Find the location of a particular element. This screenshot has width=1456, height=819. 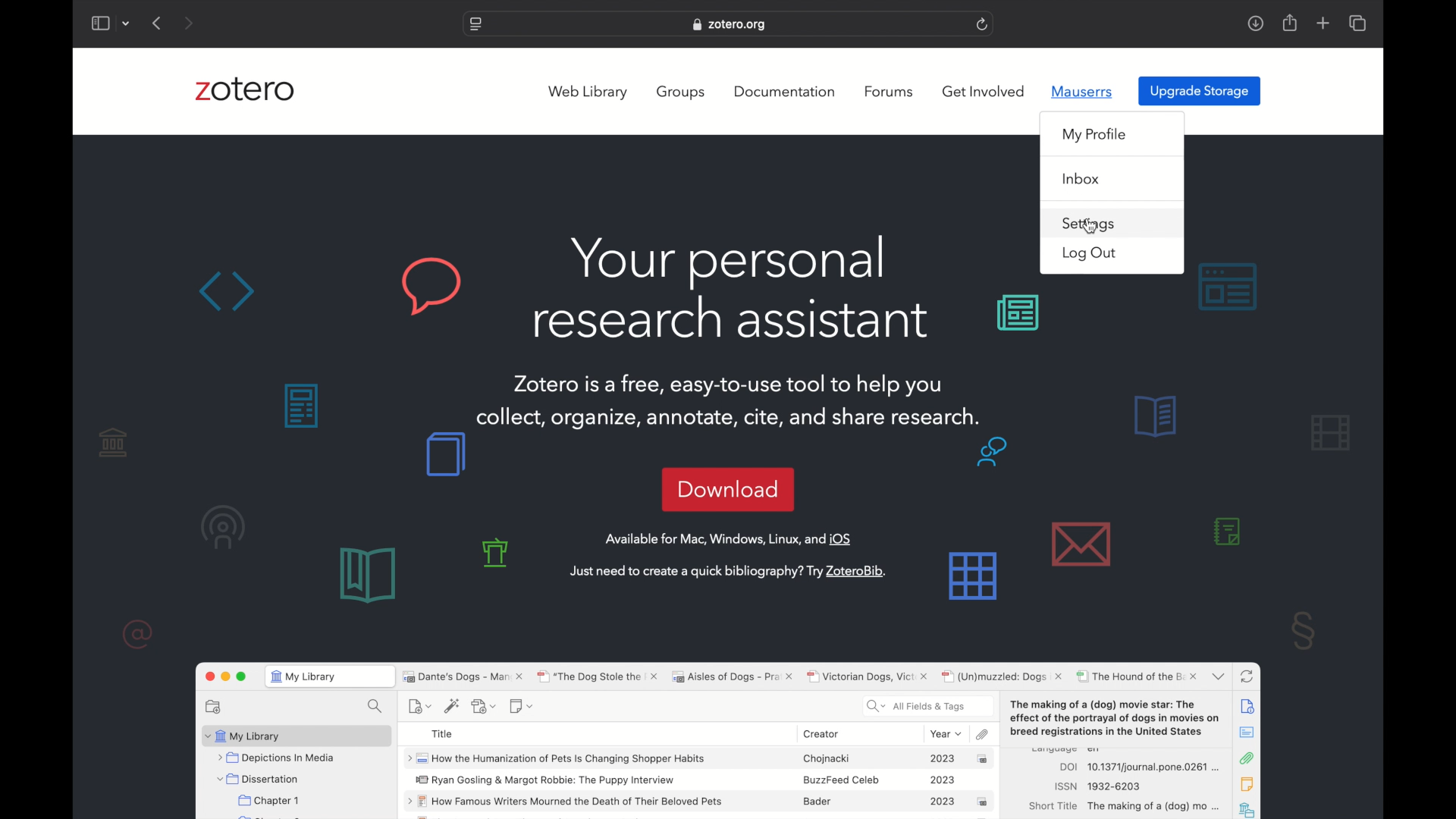

download is located at coordinates (728, 490).